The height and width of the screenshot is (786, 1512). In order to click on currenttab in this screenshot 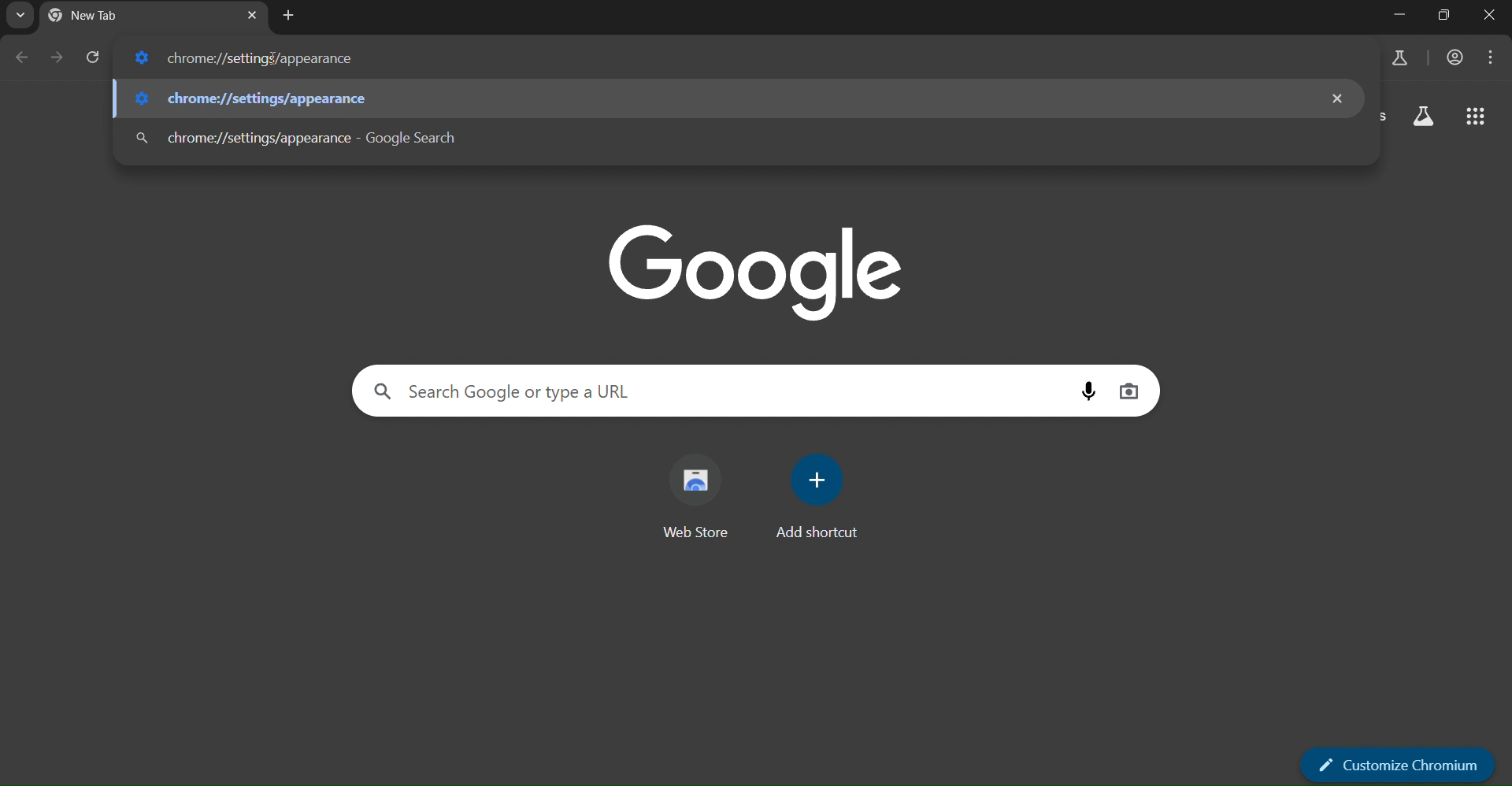, I will do `click(100, 15)`.